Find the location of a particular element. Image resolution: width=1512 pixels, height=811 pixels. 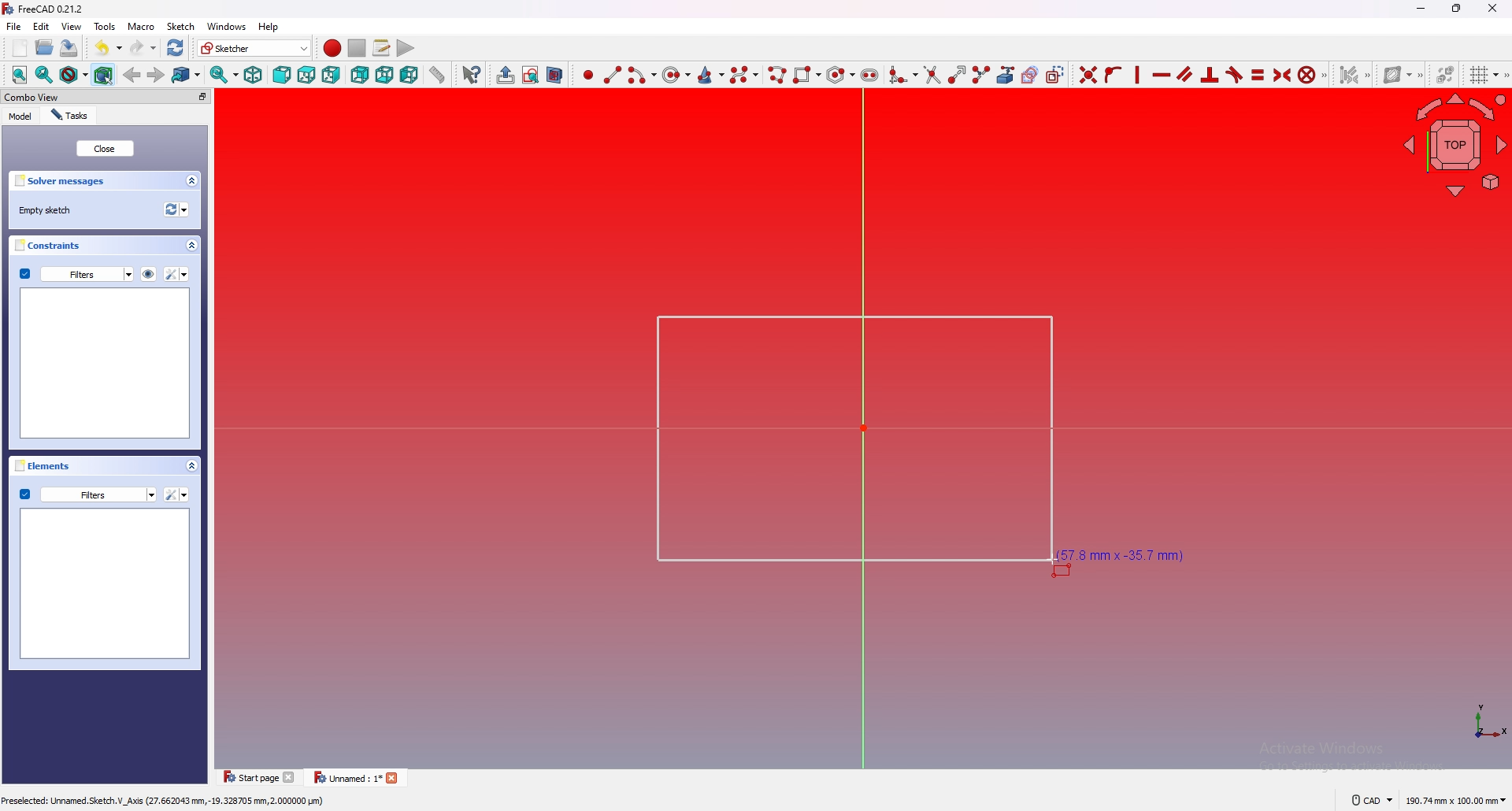

switch workbench is located at coordinates (255, 47).